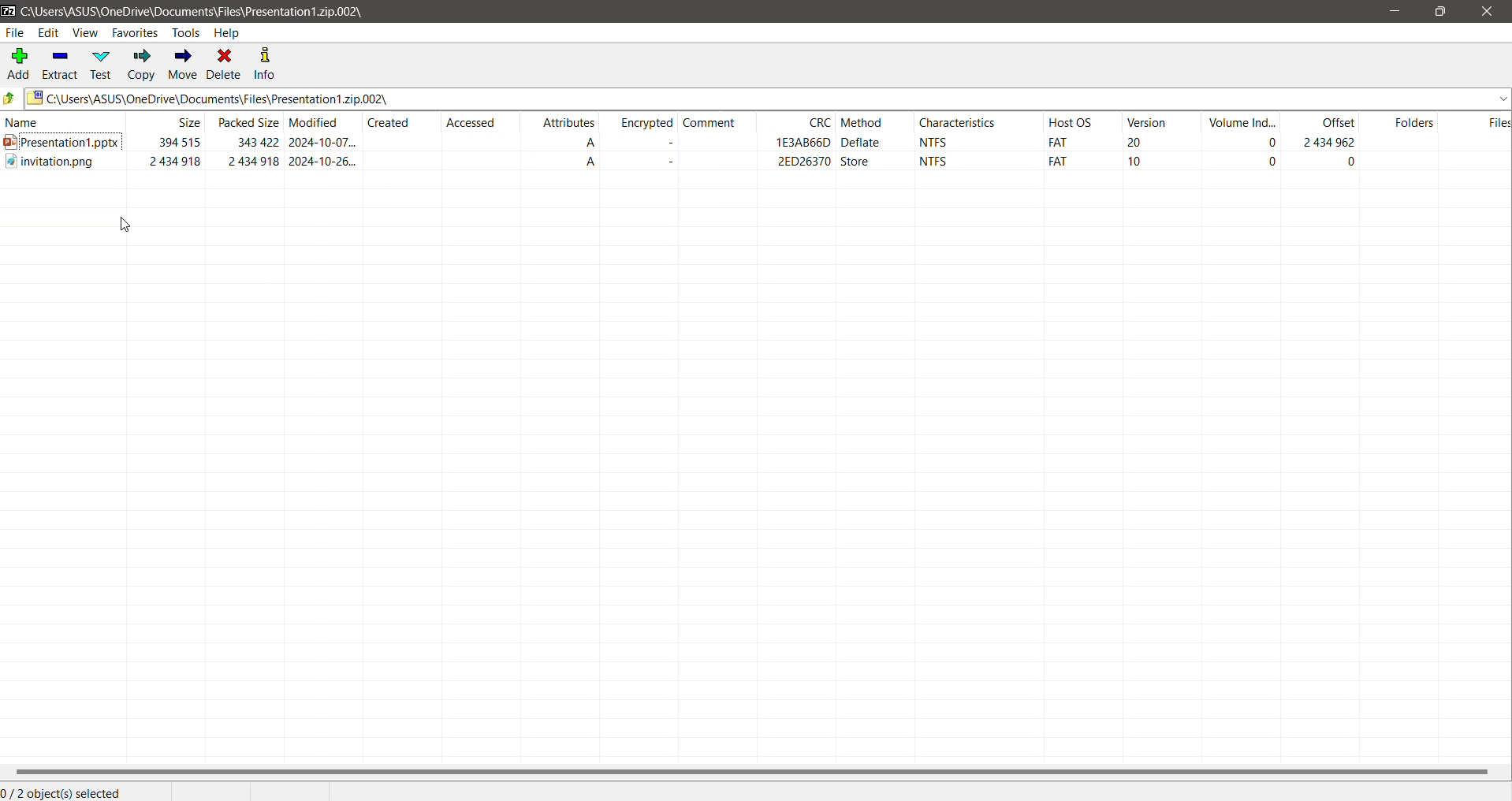 The height and width of the screenshot is (801, 1512). Describe the element at coordinates (50, 32) in the screenshot. I see `Edit` at that location.